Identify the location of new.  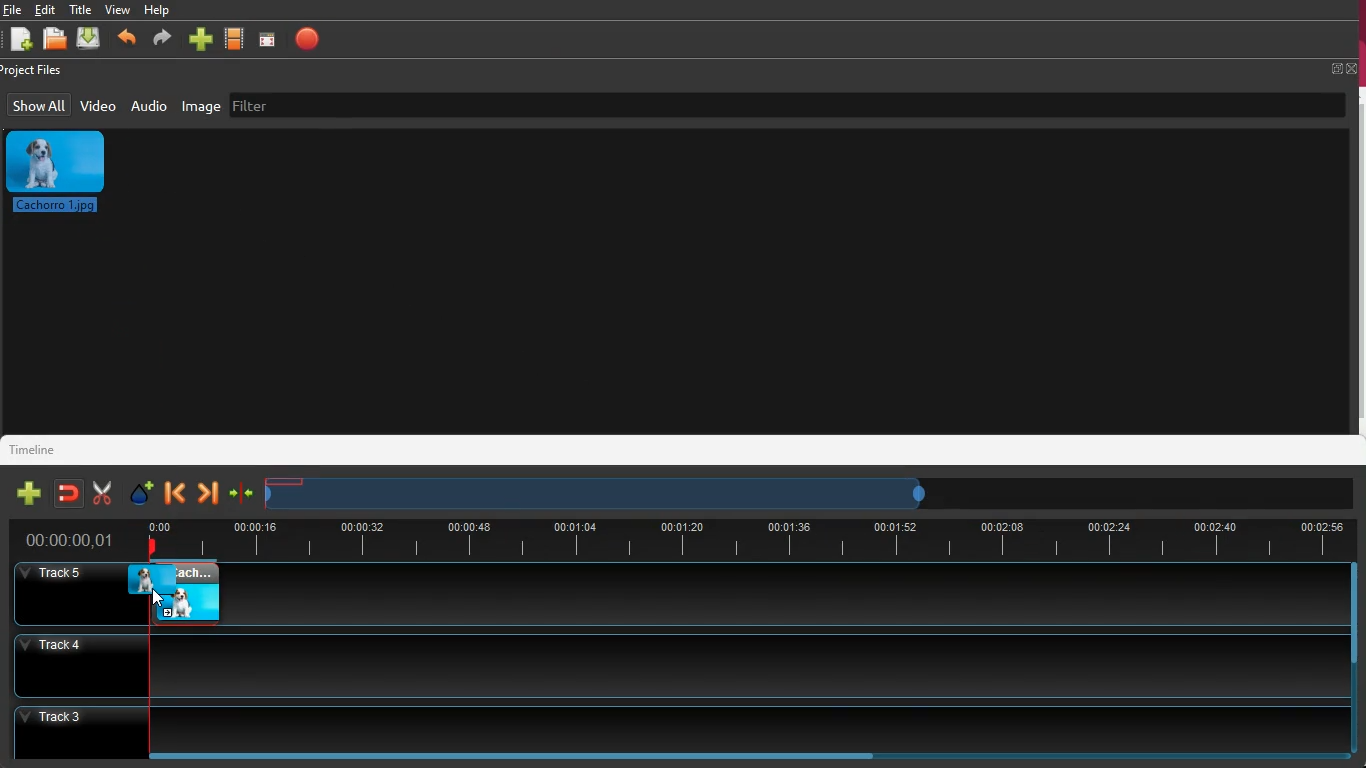
(20, 40).